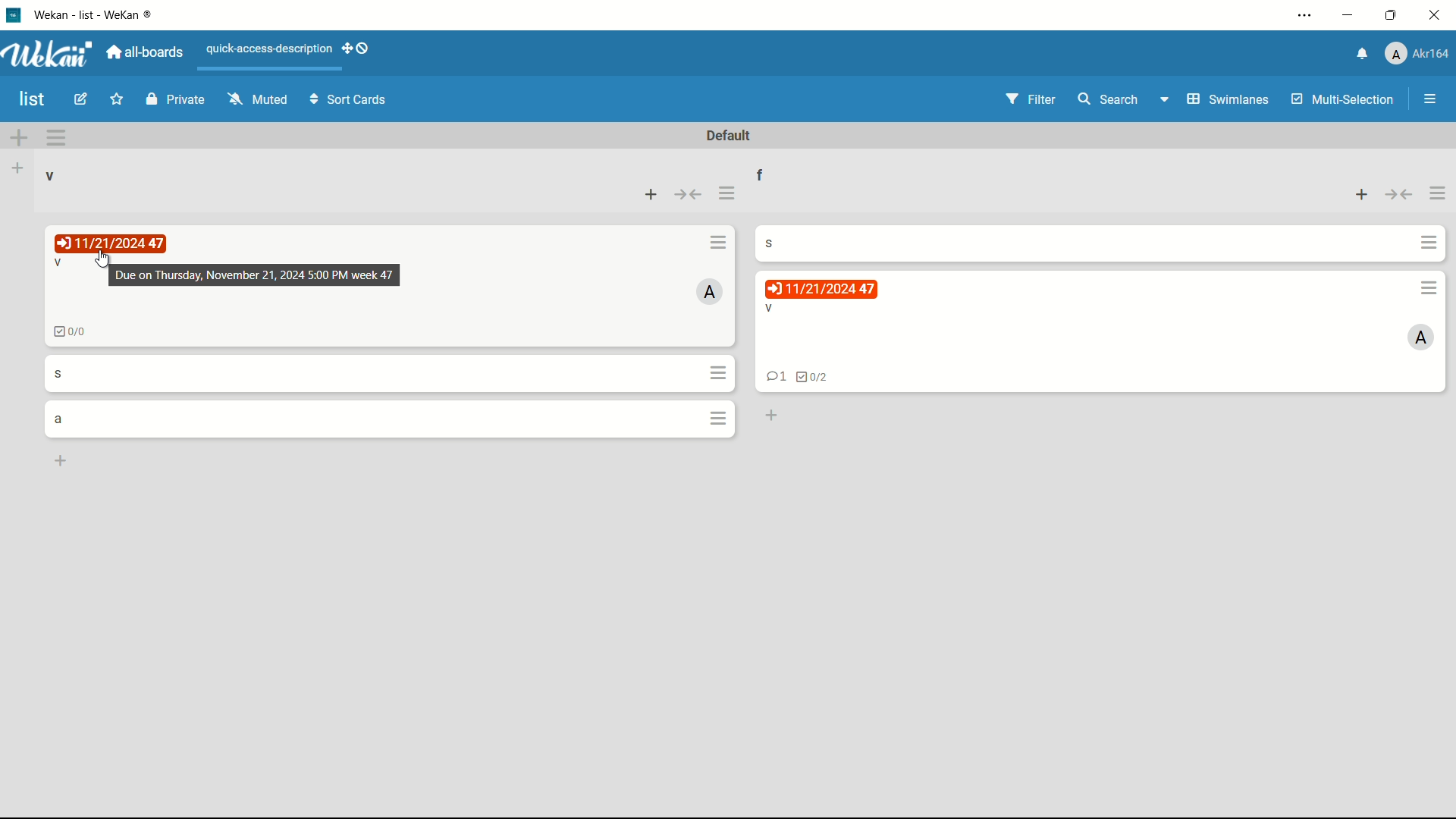 This screenshot has width=1456, height=819. Describe the element at coordinates (60, 419) in the screenshot. I see `card name` at that location.